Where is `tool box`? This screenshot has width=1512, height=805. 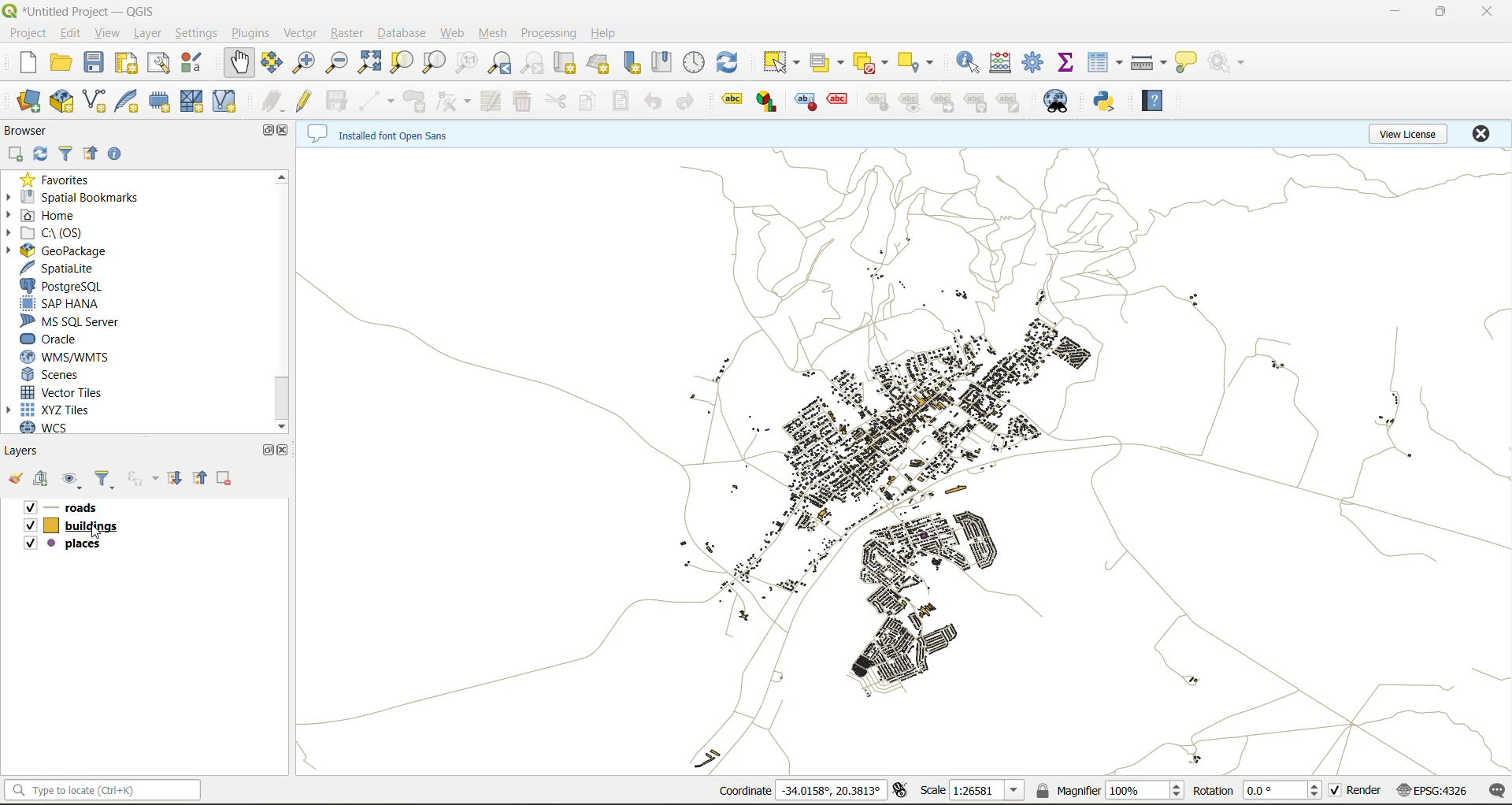
tool box is located at coordinates (1037, 64).